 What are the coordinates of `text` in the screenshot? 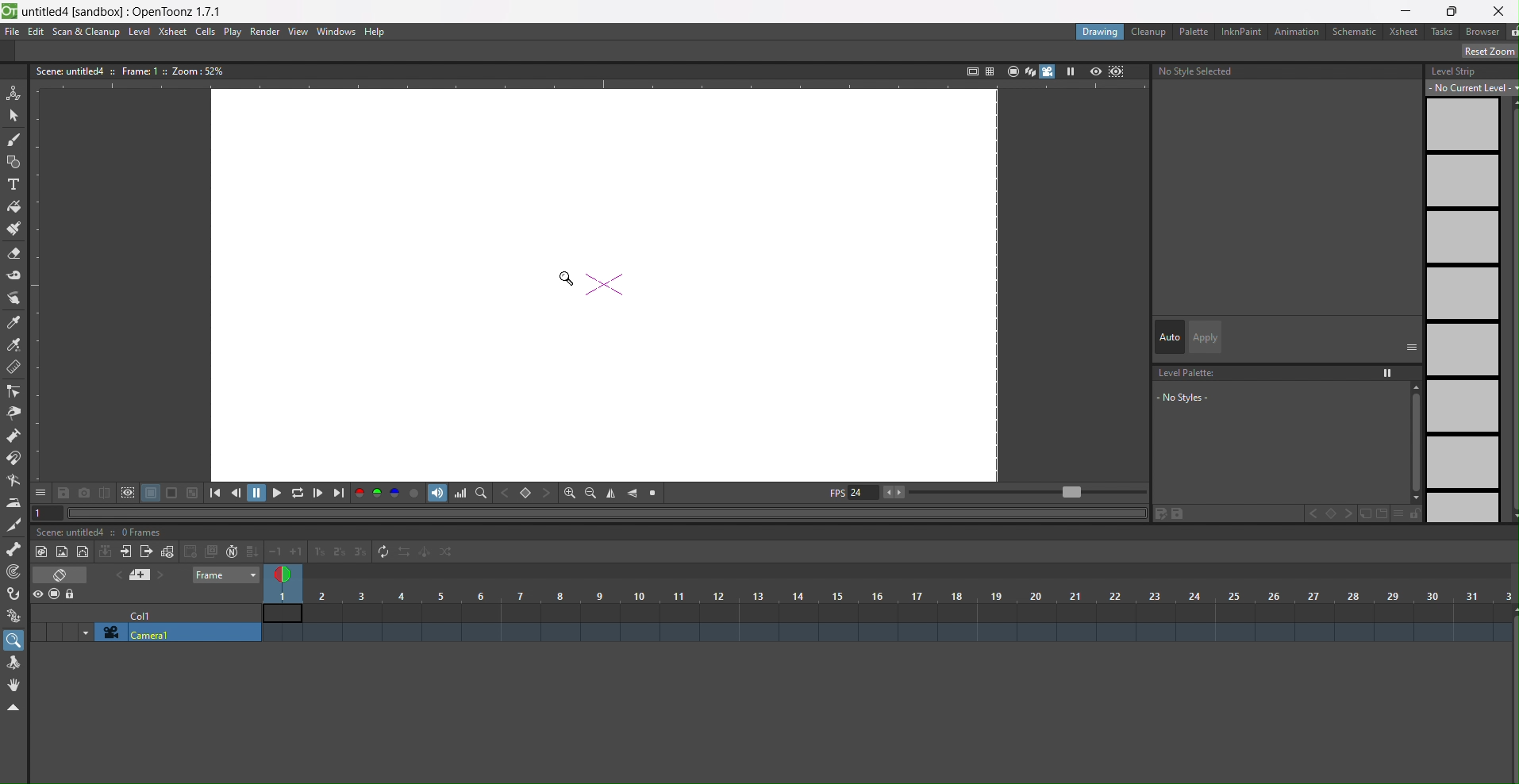 It's located at (102, 532).